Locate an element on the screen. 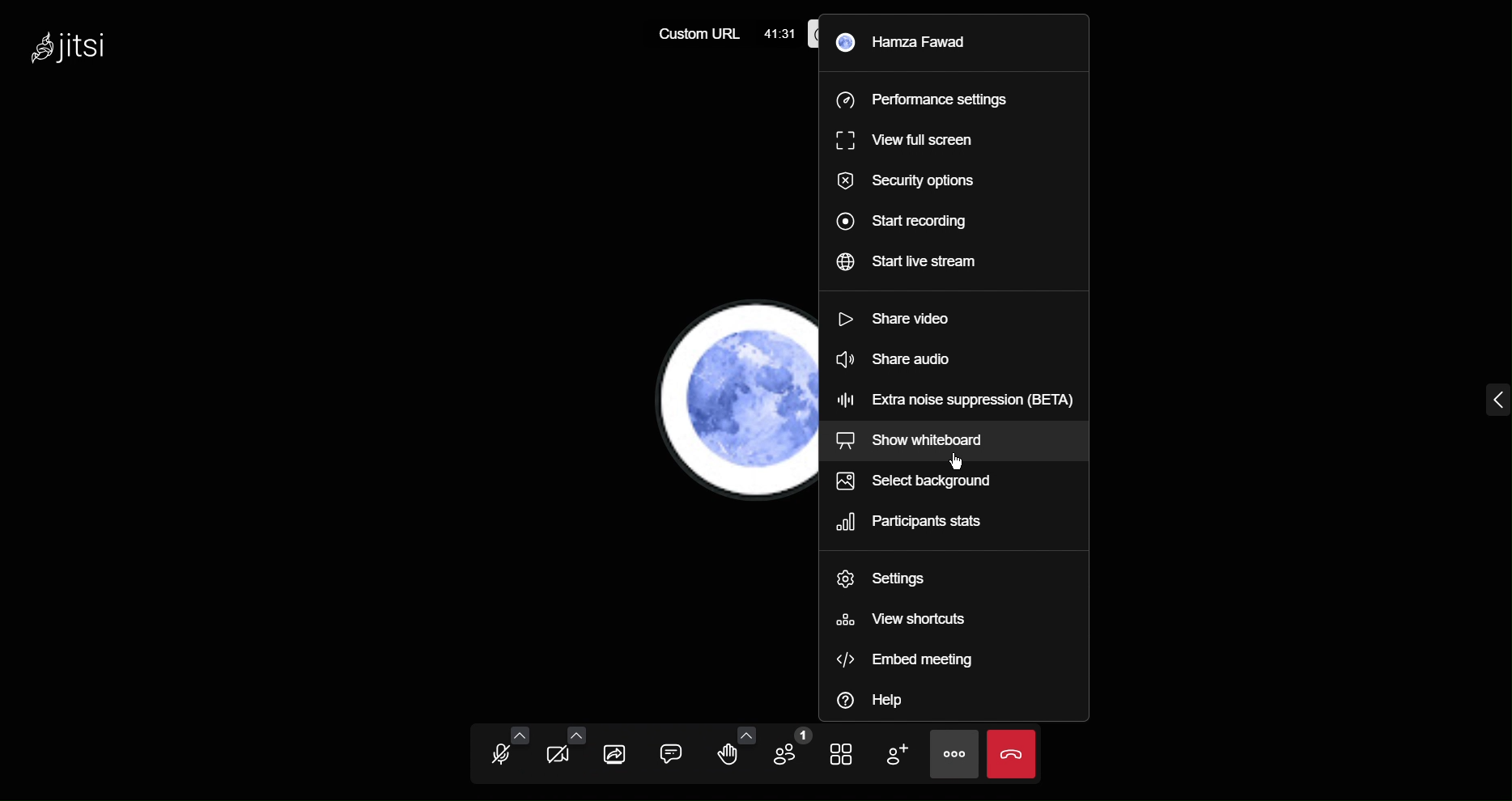 This screenshot has width=1512, height=801. Audio is located at coordinates (501, 751).